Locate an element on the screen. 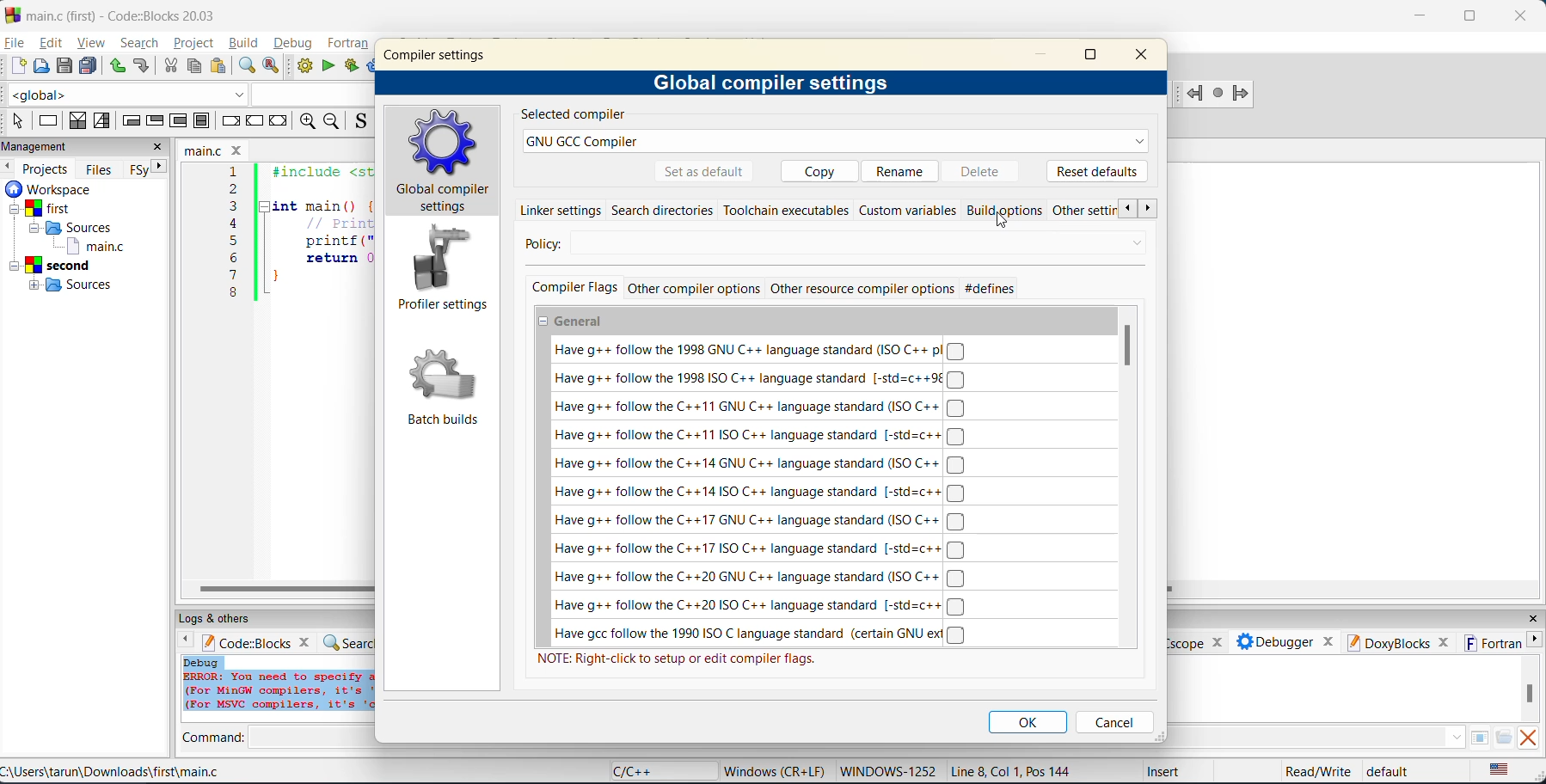 The image size is (1546, 784). Have gcc follow the 1990 1SO C language standard certain GNU ext is located at coordinates (763, 634).